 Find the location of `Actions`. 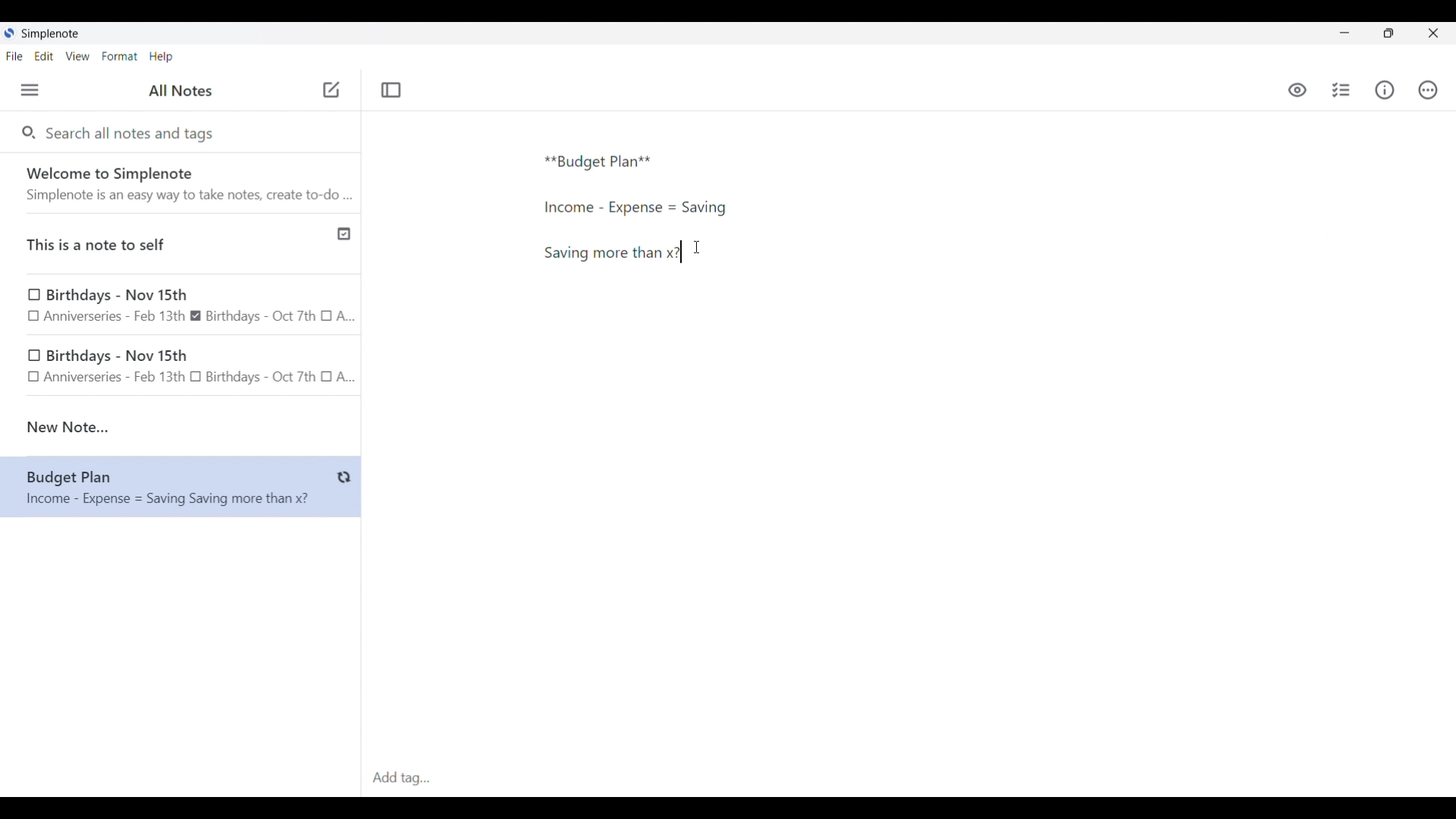

Actions is located at coordinates (1427, 90).